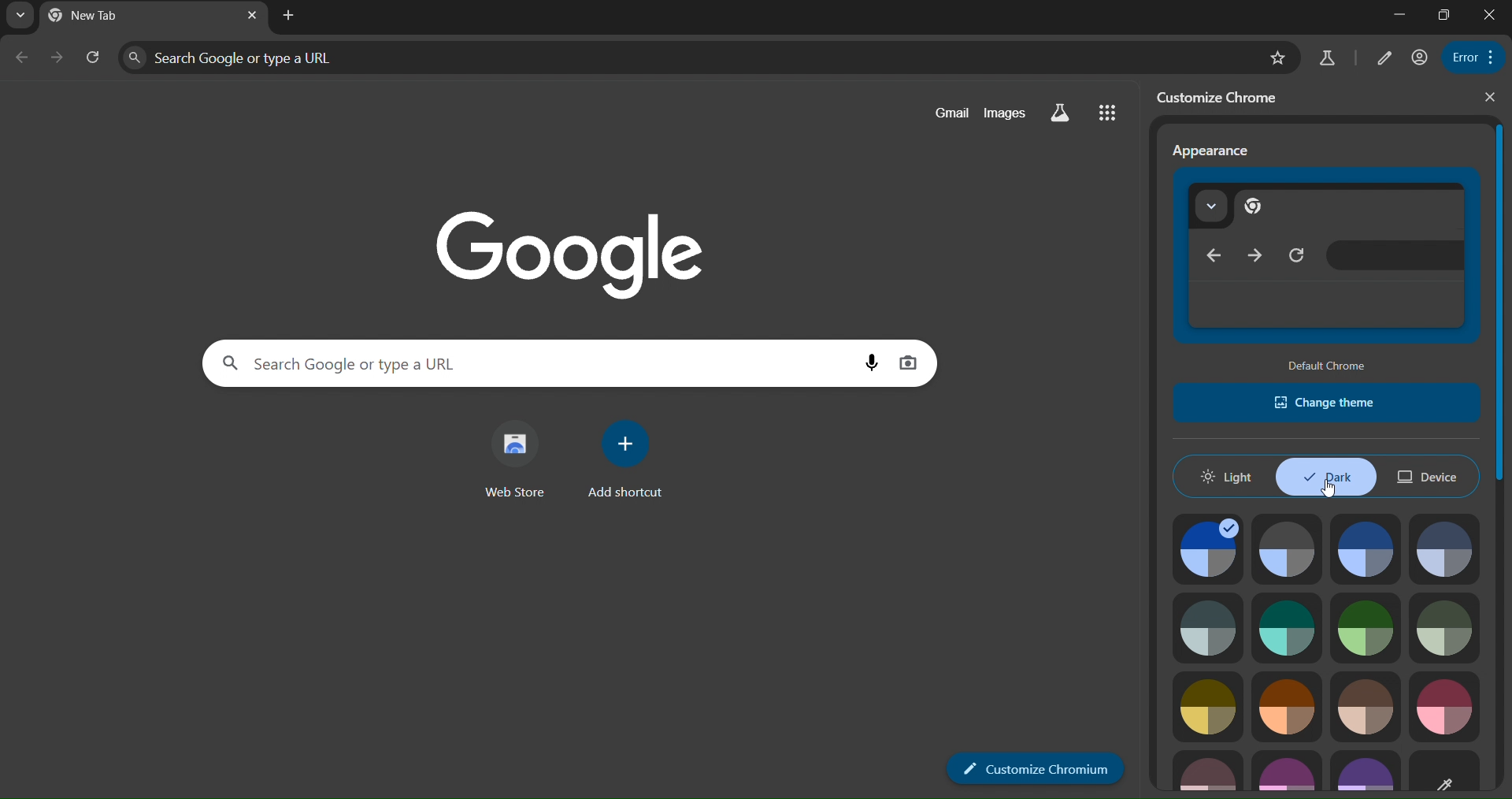 This screenshot has width=1512, height=799. I want to click on default chrome, so click(1332, 366).